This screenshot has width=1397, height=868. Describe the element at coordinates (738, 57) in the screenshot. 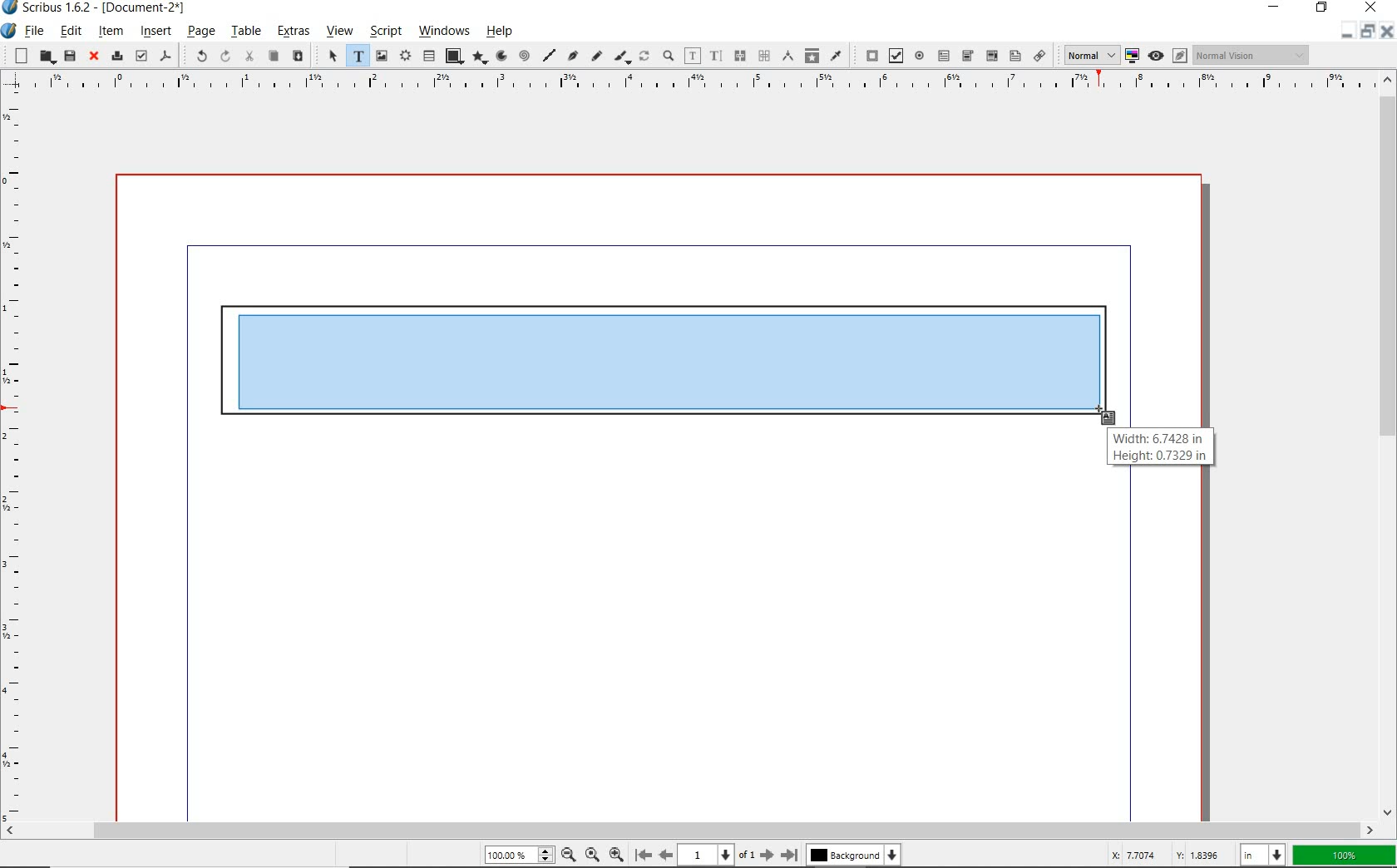

I see `unlink text frames` at that location.